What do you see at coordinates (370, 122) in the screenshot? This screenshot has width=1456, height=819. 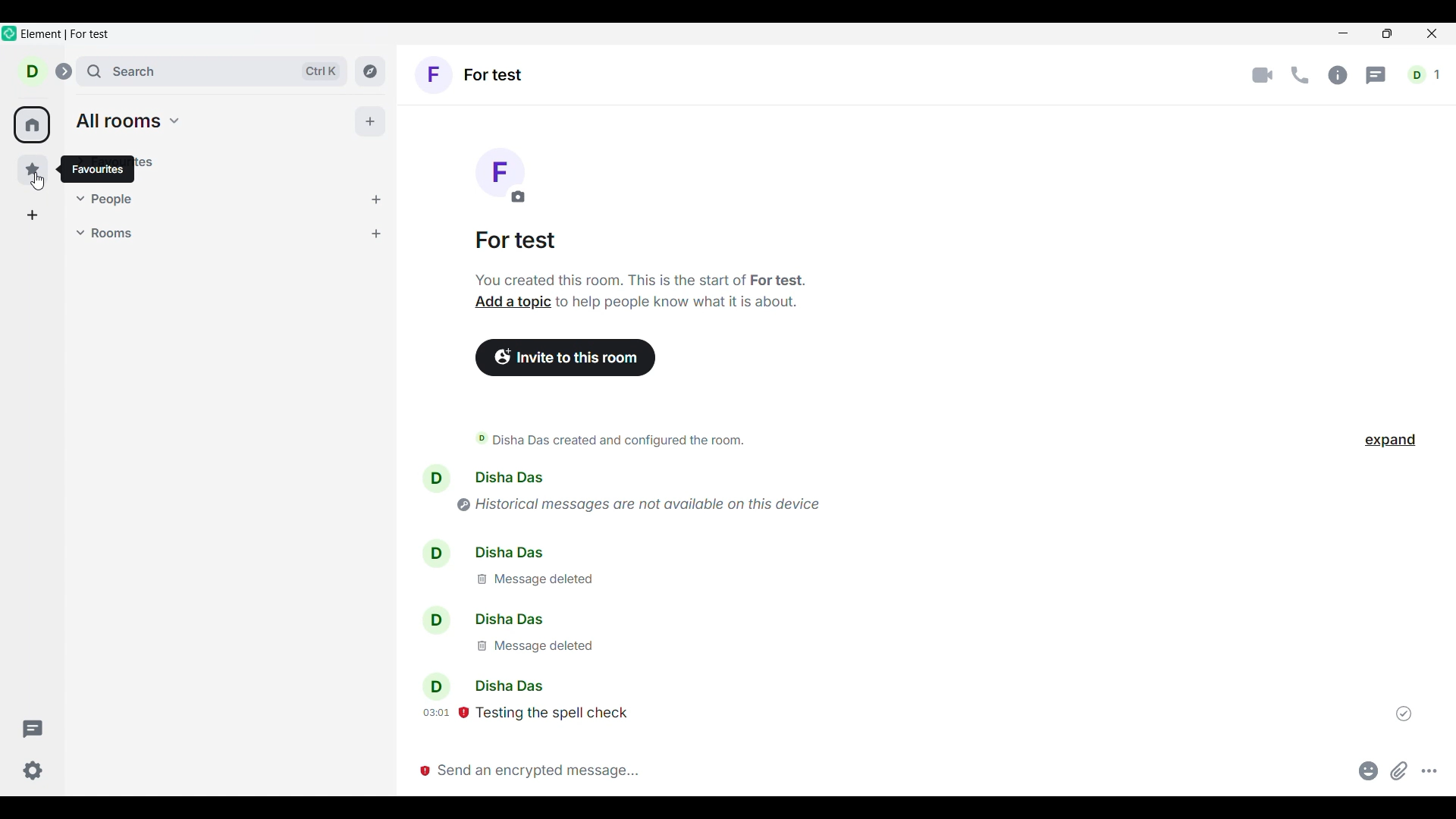 I see `Add` at bounding box center [370, 122].